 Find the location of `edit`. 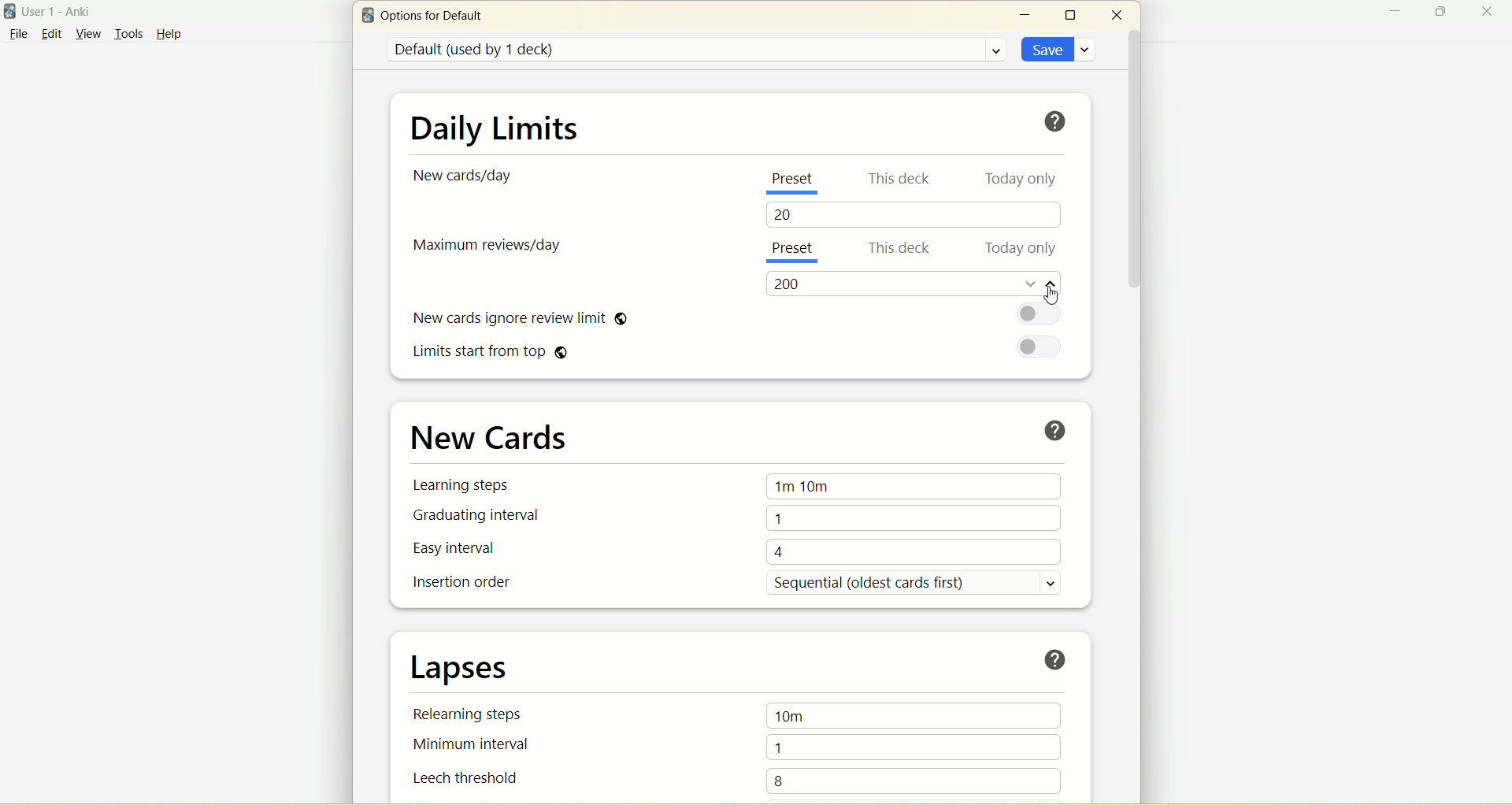

edit is located at coordinates (53, 35).